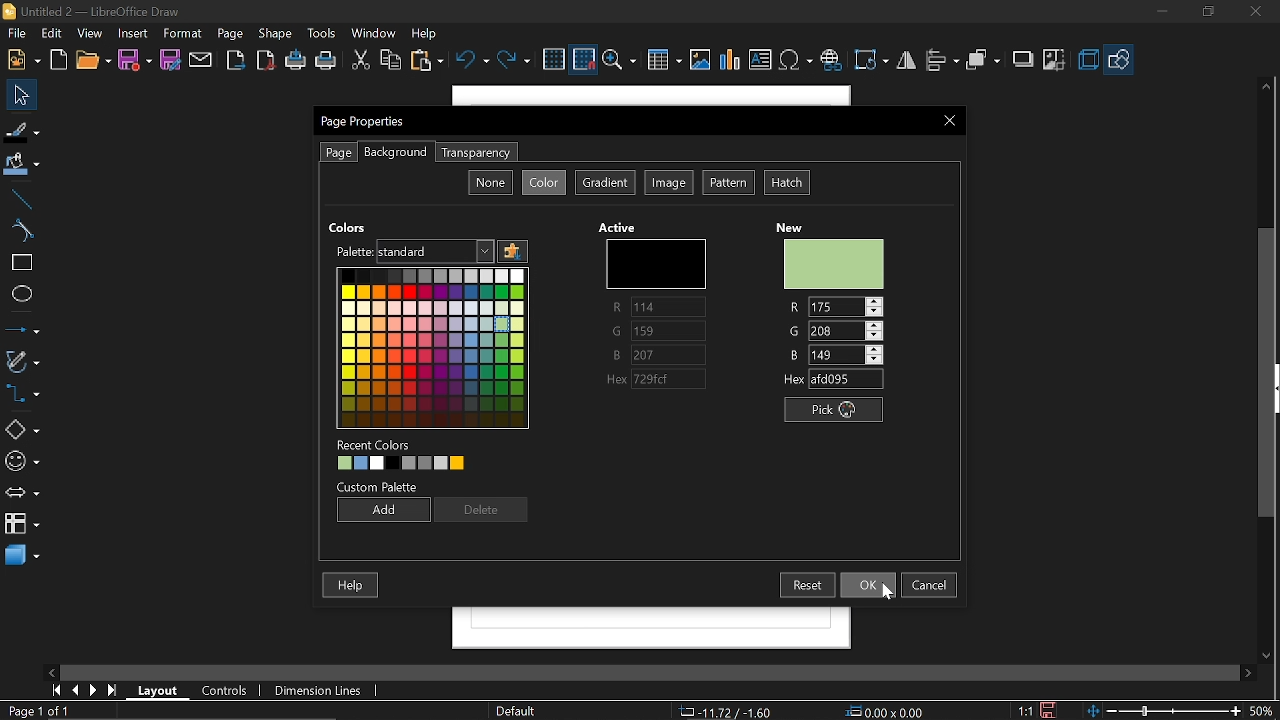 This screenshot has width=1280, height=720. What do you see at coordinates (1206, 14) in the screenshot?
I see `Restore down` at bounding box center [1206, 14].